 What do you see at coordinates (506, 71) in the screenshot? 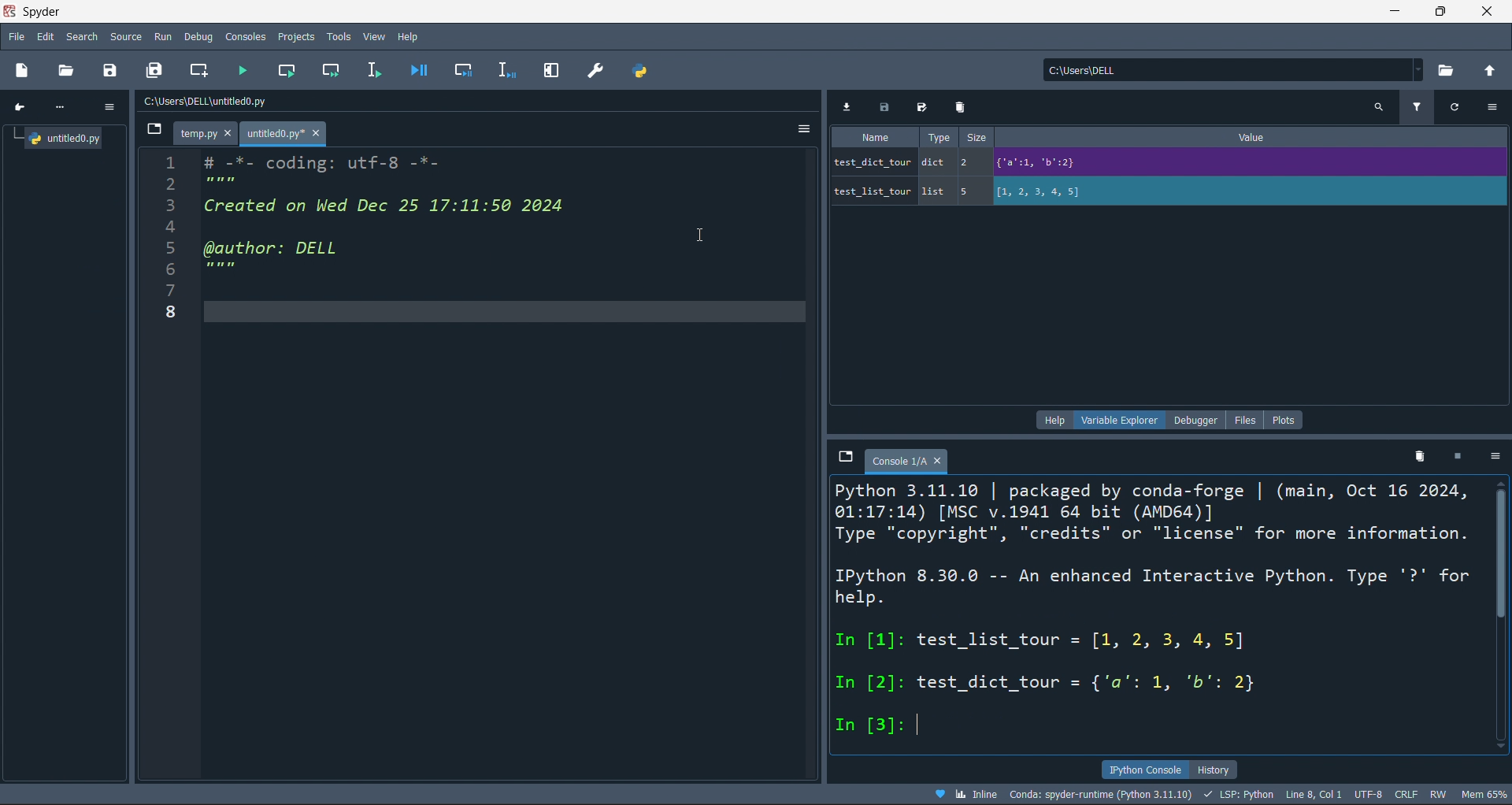
I see `debug line` at bounding box center [506, 71].